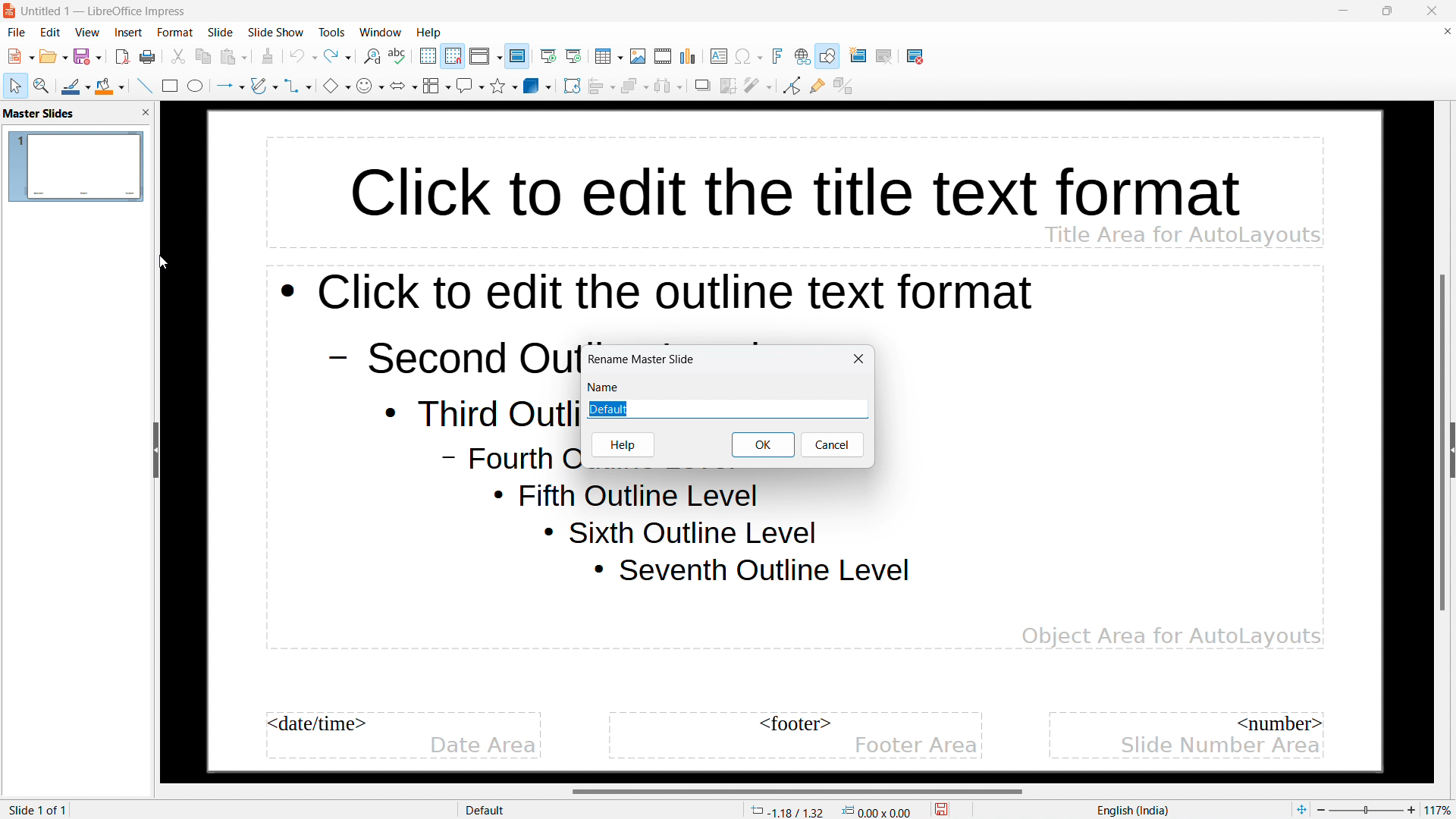 The image size is (1456, 819). I want to click on insert image, so click(639, 56).